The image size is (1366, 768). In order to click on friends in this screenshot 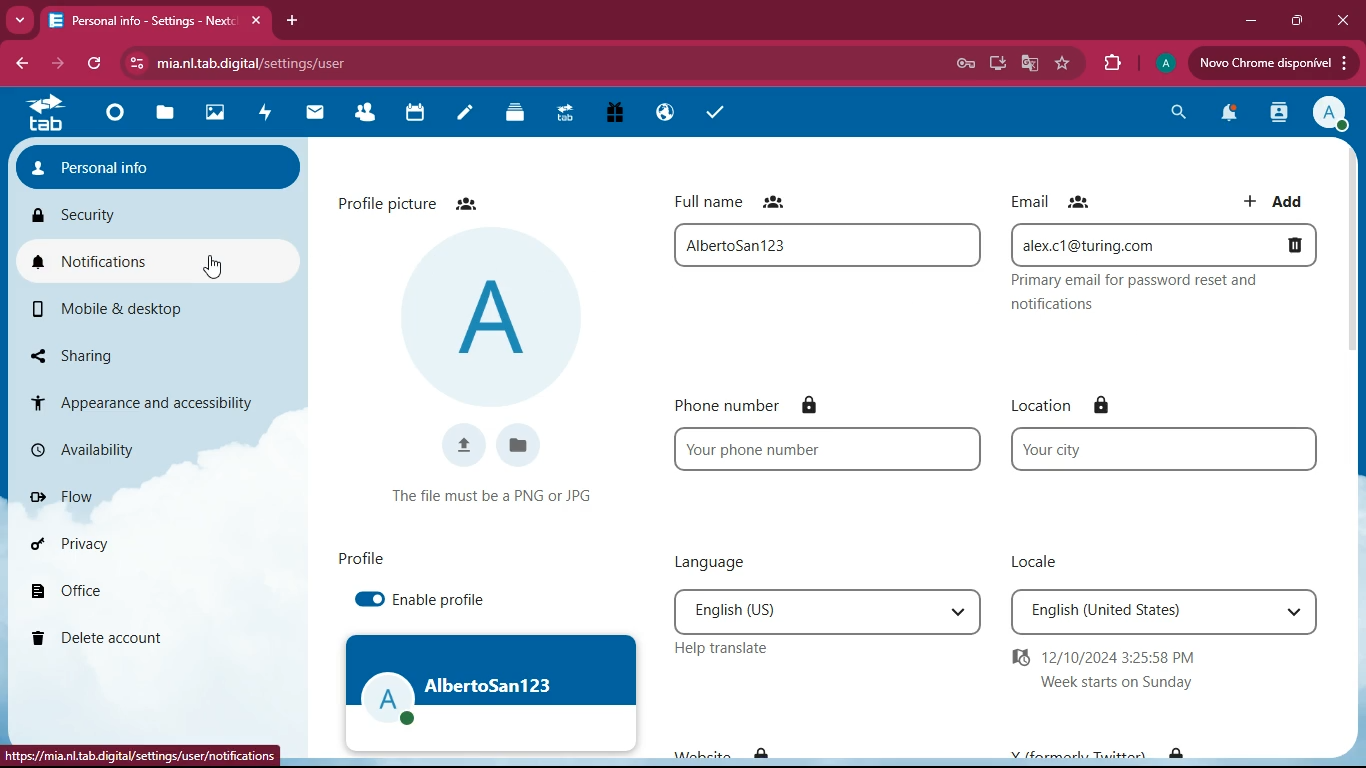, I will do `click(371, 114)`.